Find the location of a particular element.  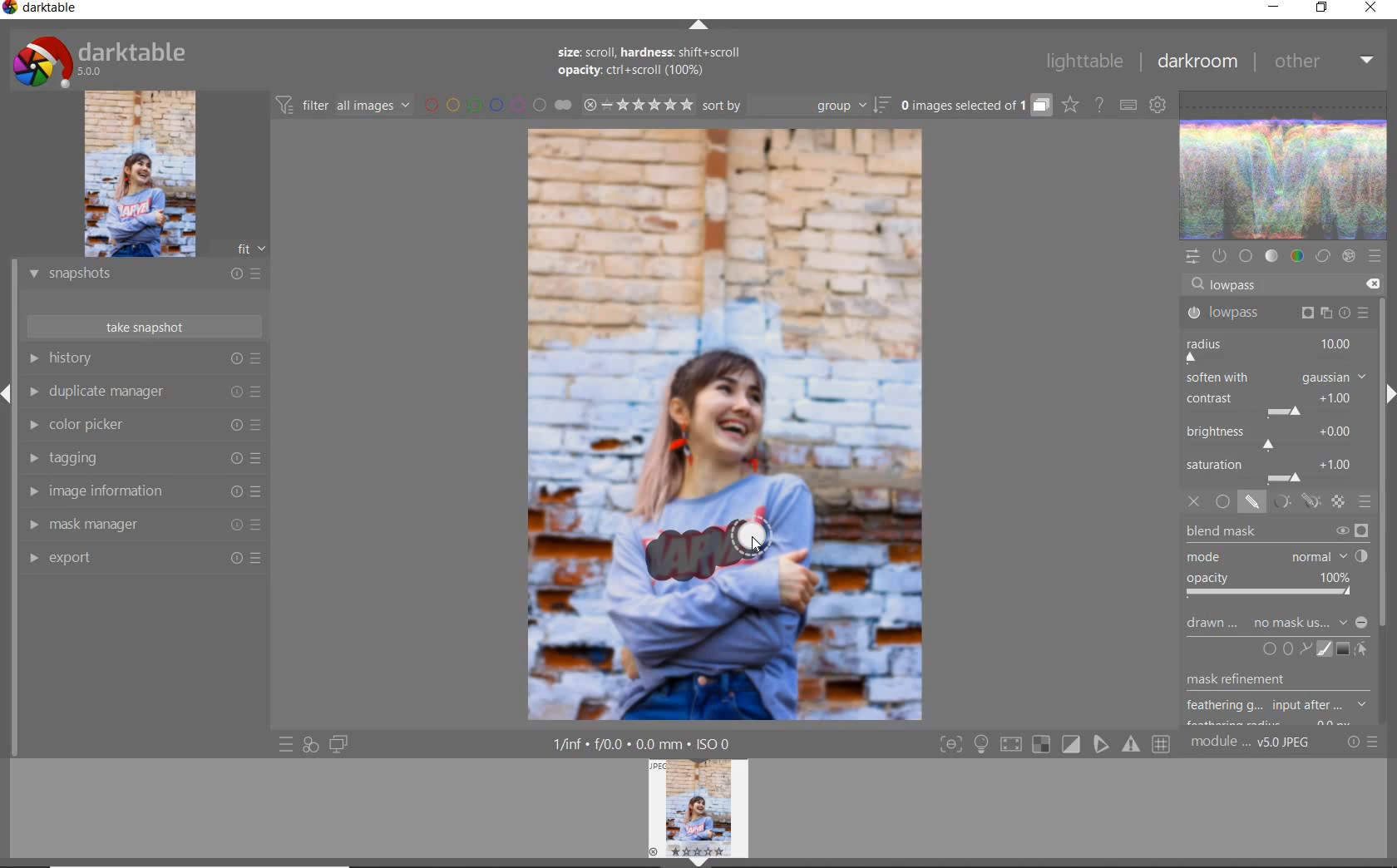

minimize is located at coordinates (1275, 8).